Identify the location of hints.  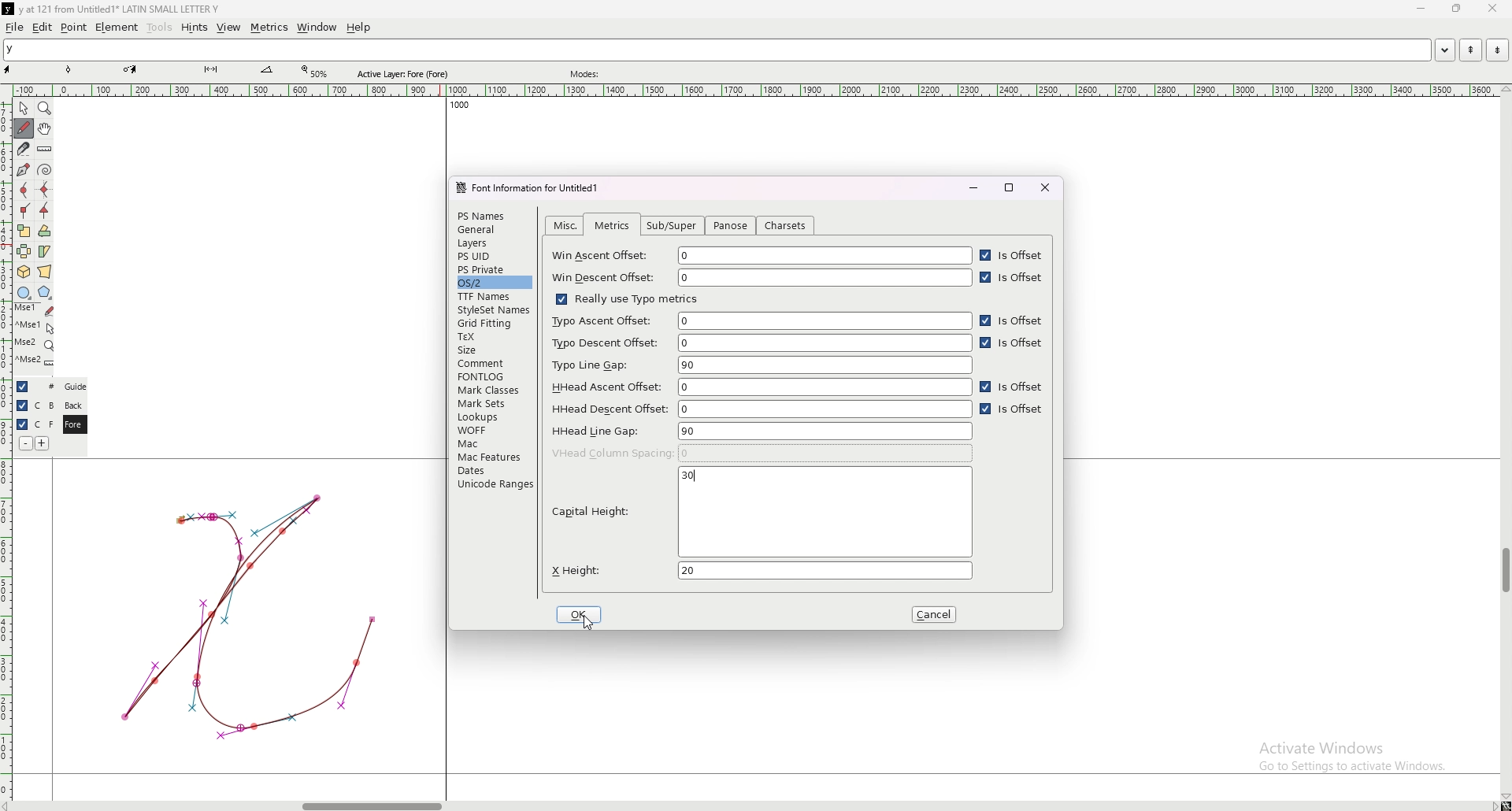
(193, 28).